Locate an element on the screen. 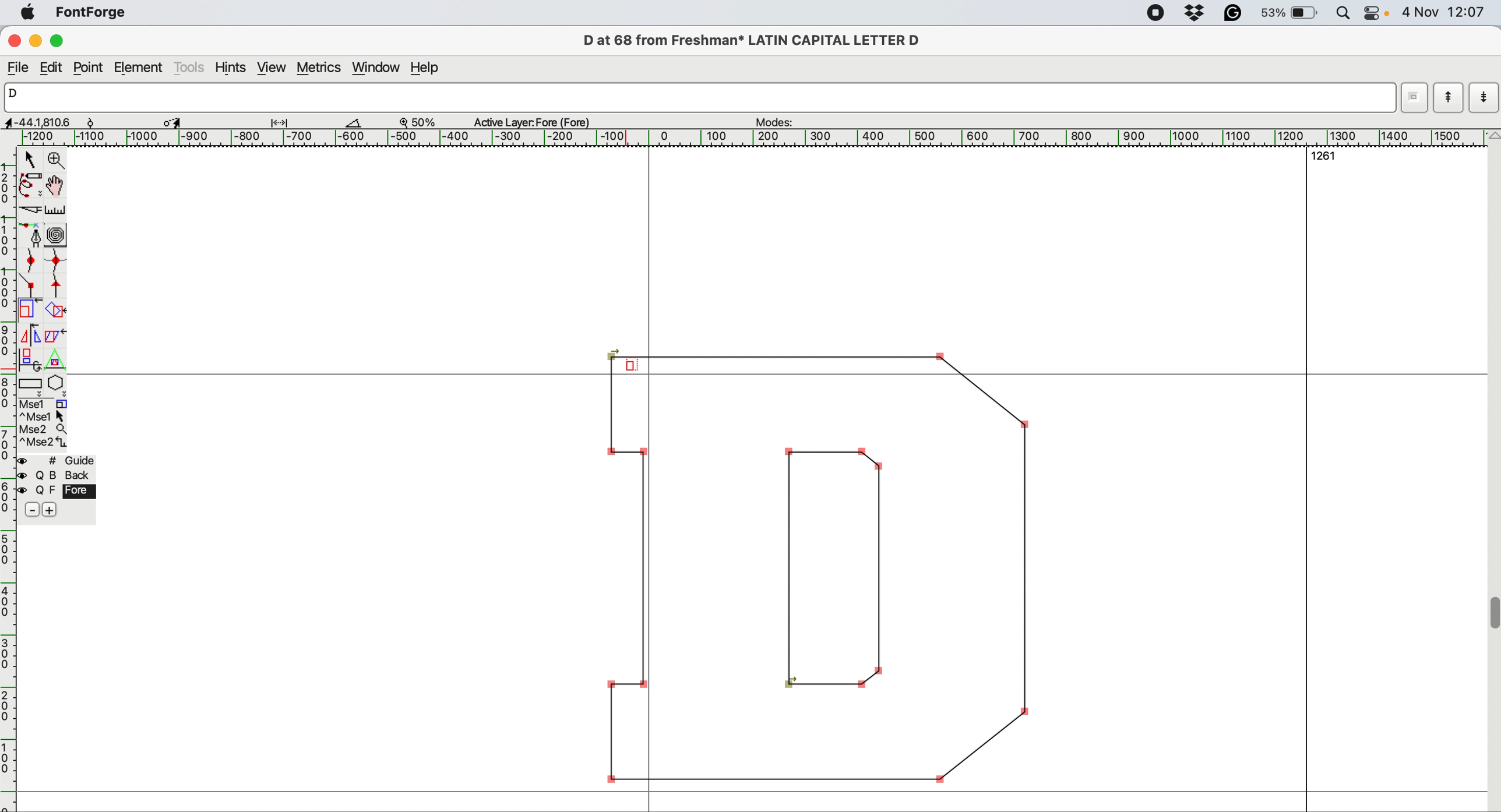 The height and width of the screenshot is (812, 1501). release cursor is located at coordinates (629, 366).